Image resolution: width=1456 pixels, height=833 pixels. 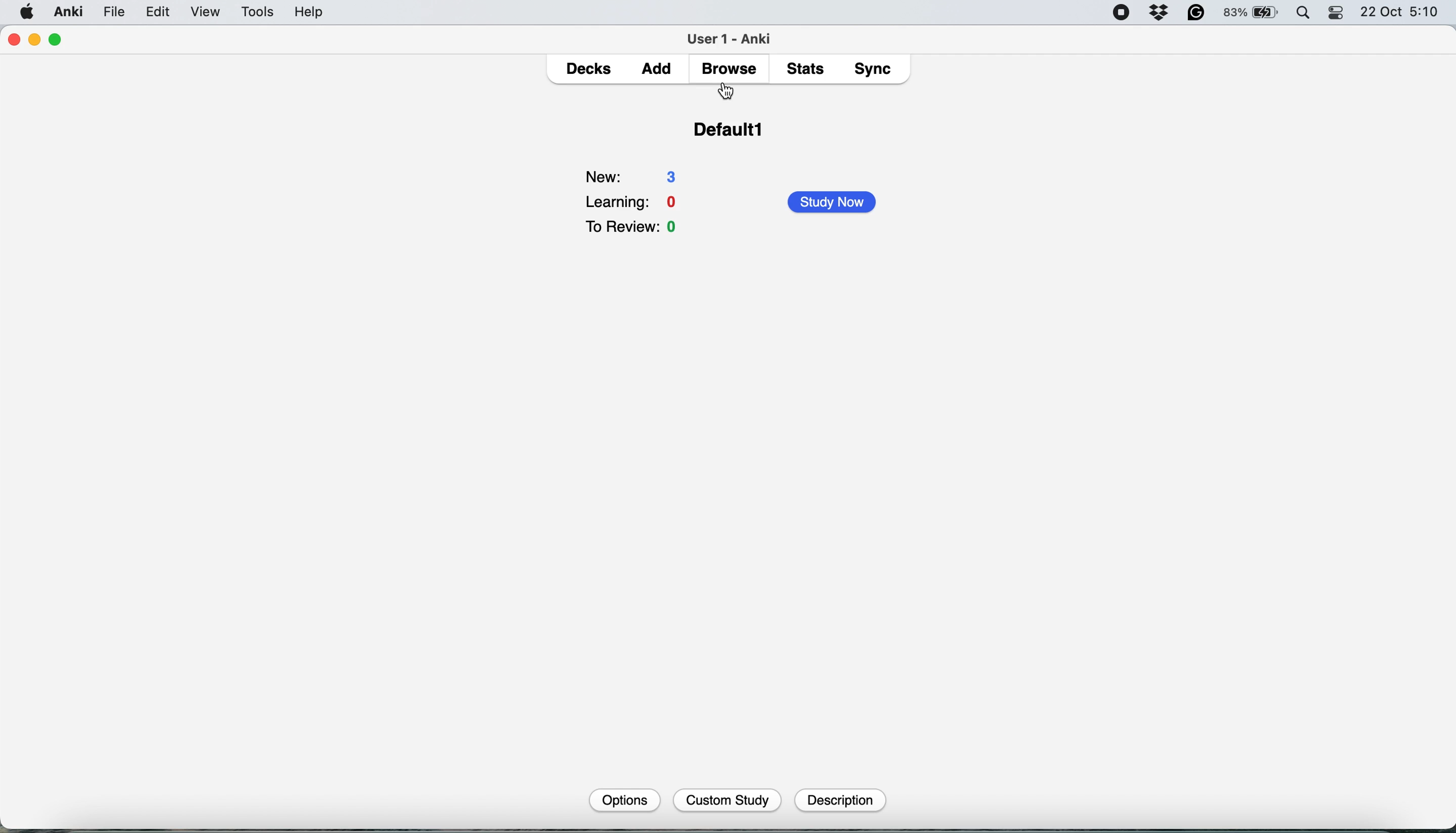 What do you see at coordinates (209, 13) in the screenshot?
I see `view` at bounding box center [209, 13].